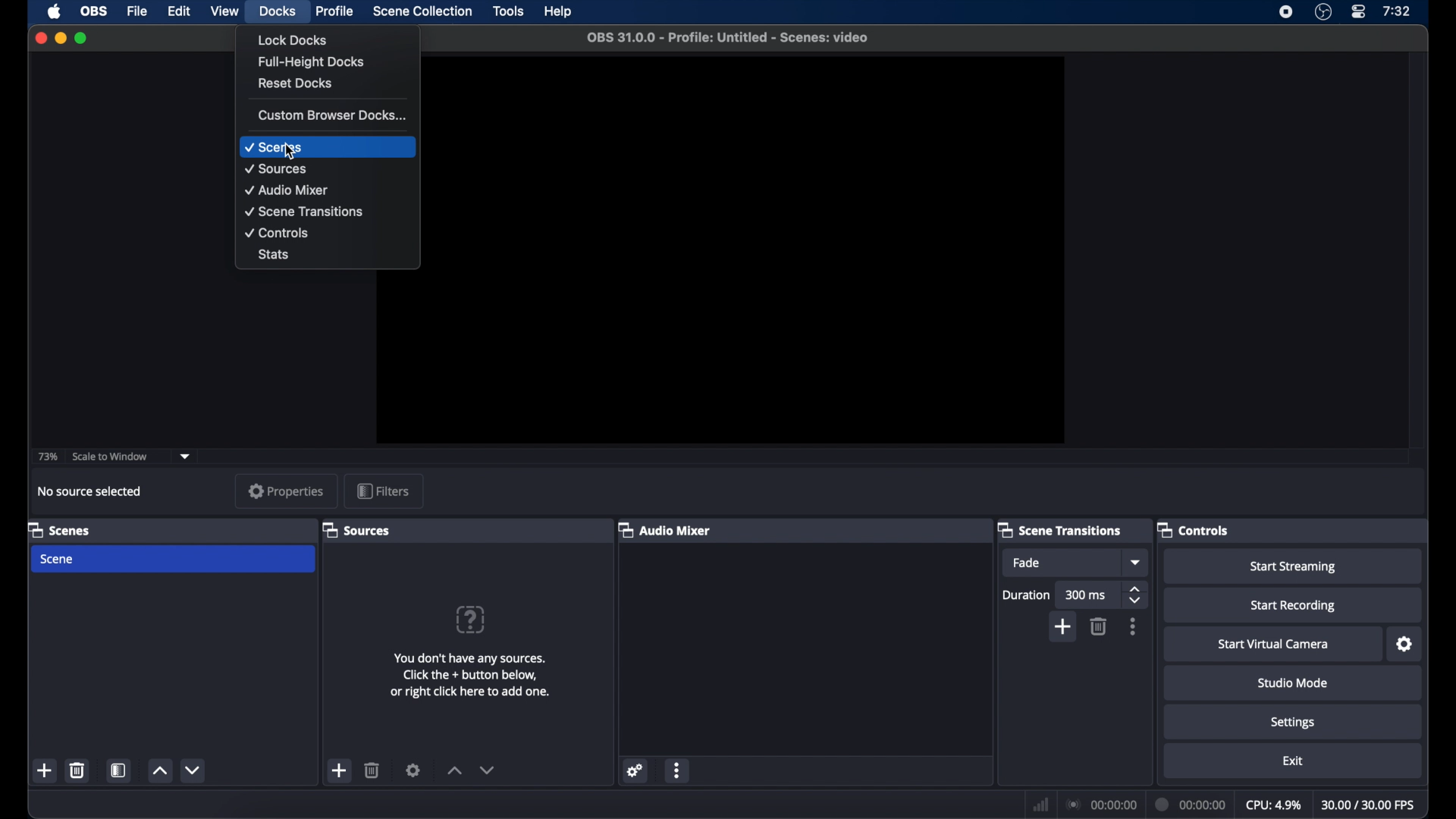  What do you see at coordinates (286, 491) in the screenshot?
I see `properties` at bounding box center [286, 491].